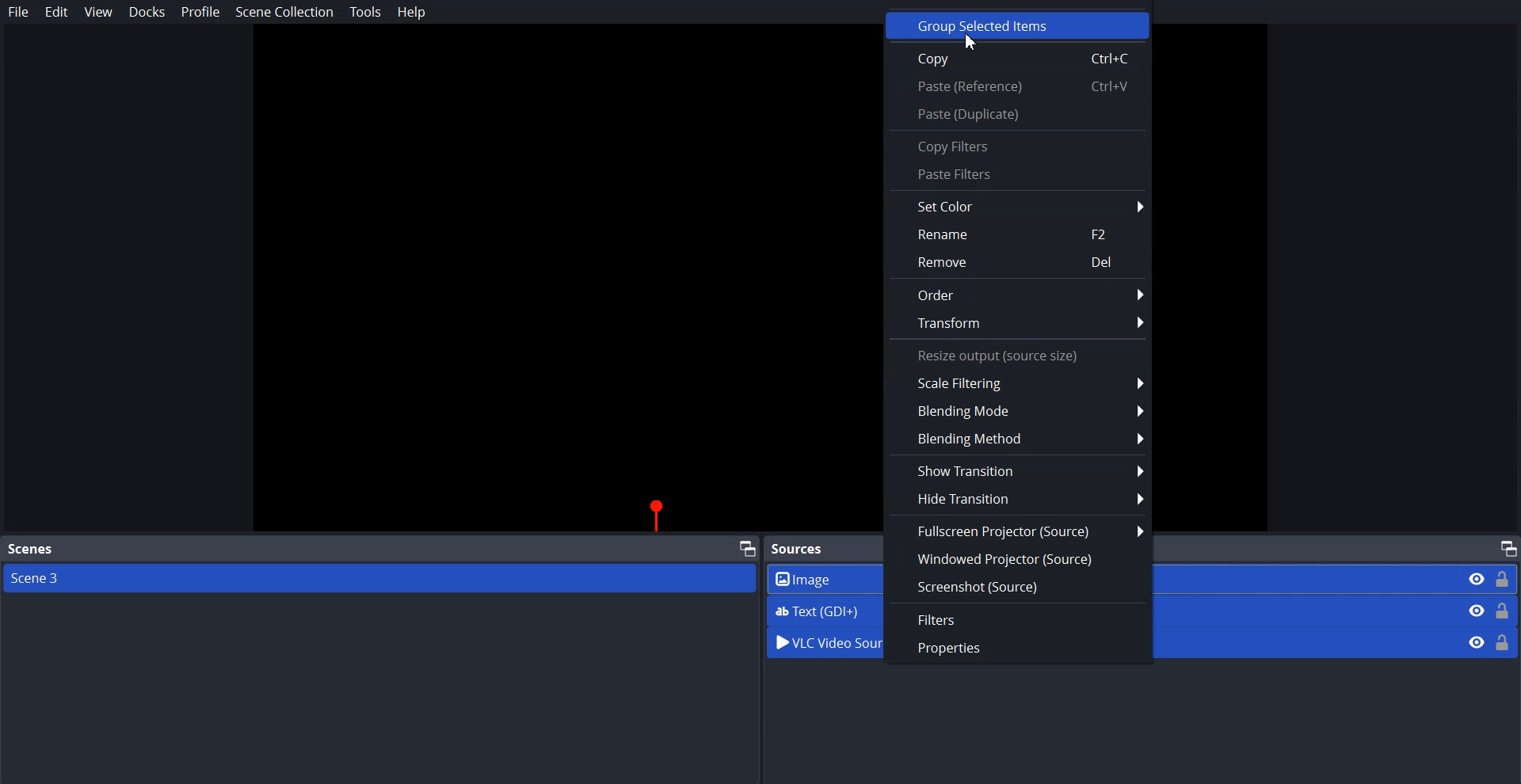 The image size is (1521, 784). What do you see at coordinates (808, 549) in the screenshot?
I see `Sources` at bounding box center [808, 549].